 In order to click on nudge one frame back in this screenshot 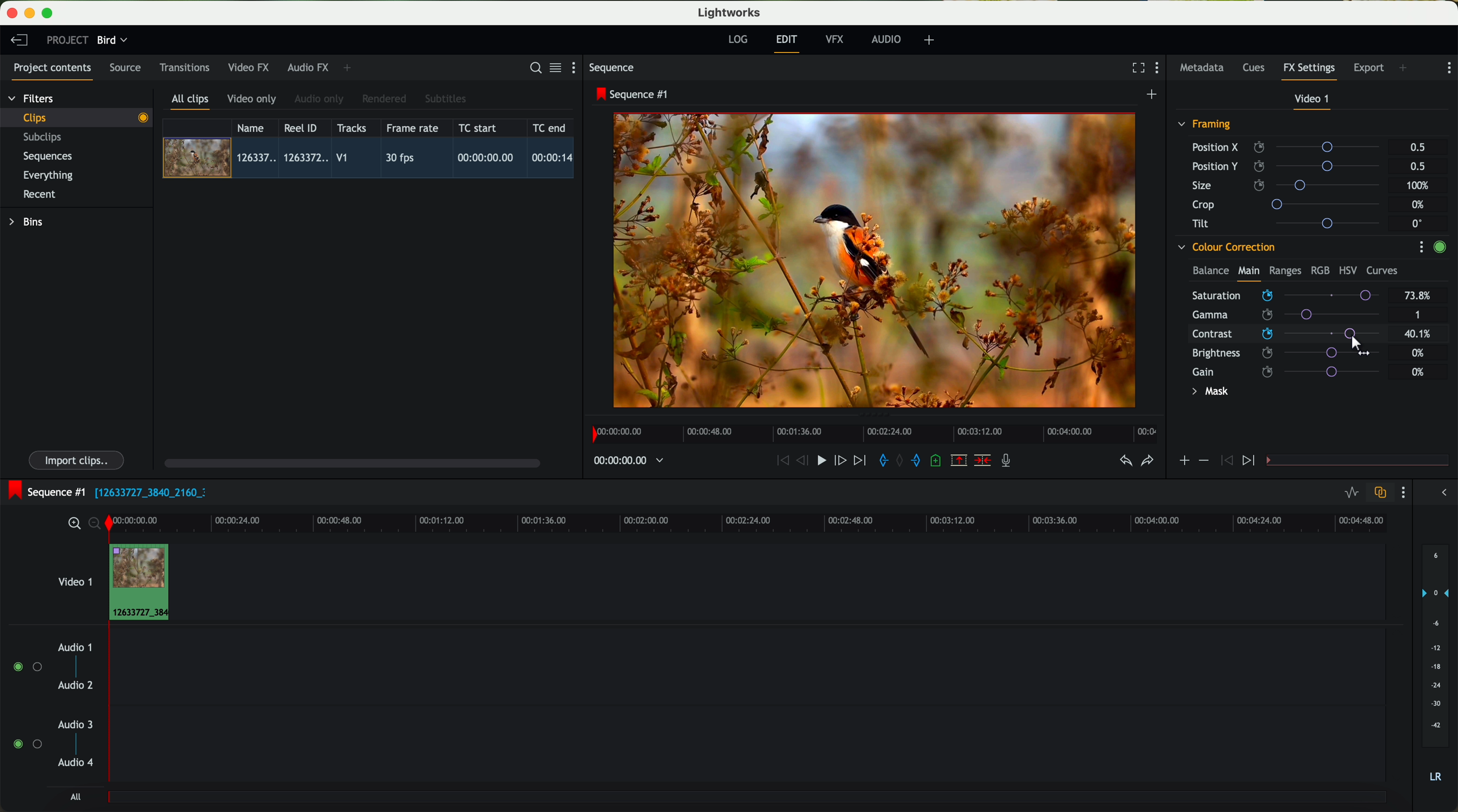, I will do `click(804, 462)`.